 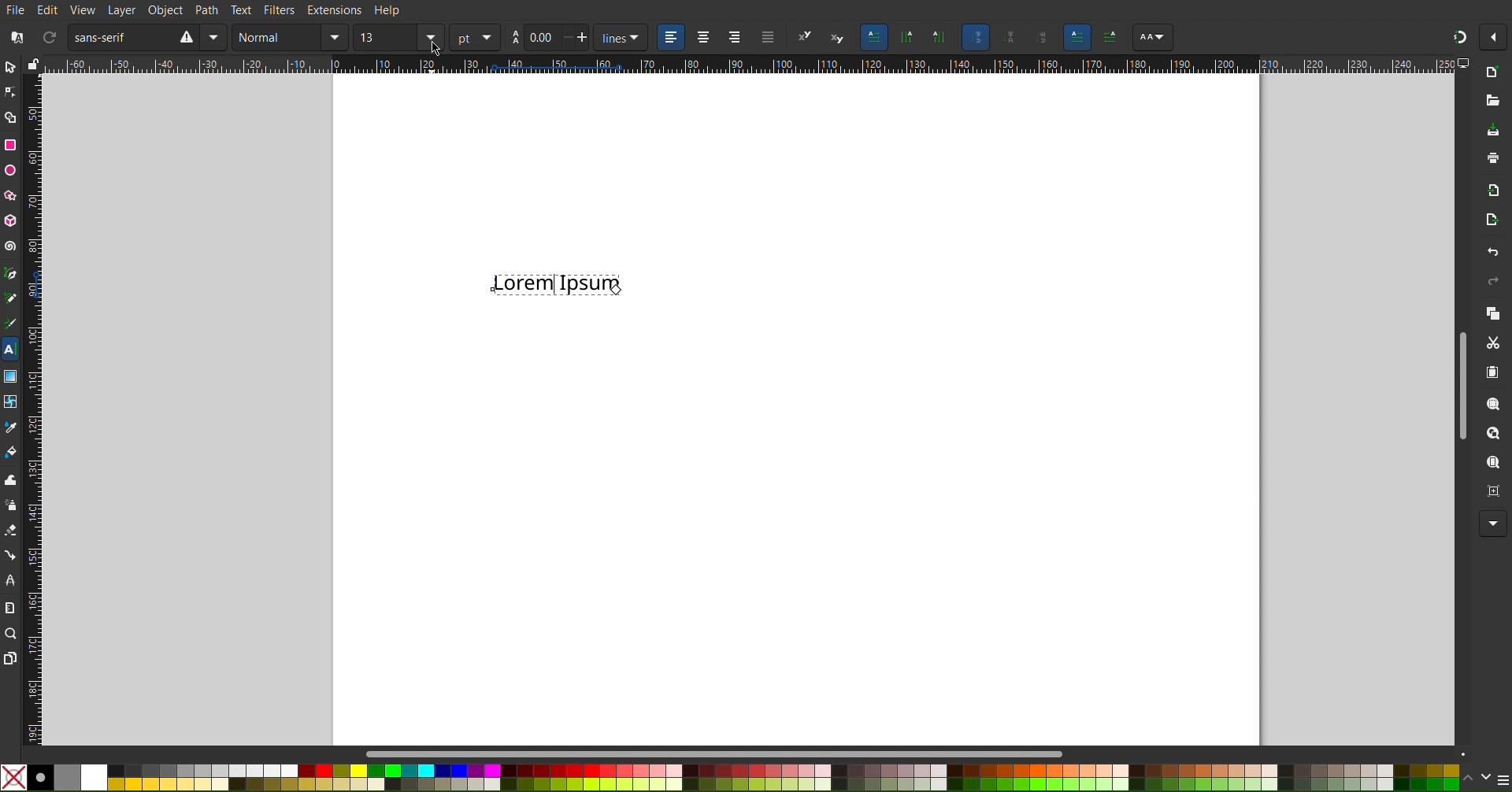 What do you see at coordinates (975, 37) in the screenshot?
I see `Scaling Objects settings` at bounding box center [975, 37].